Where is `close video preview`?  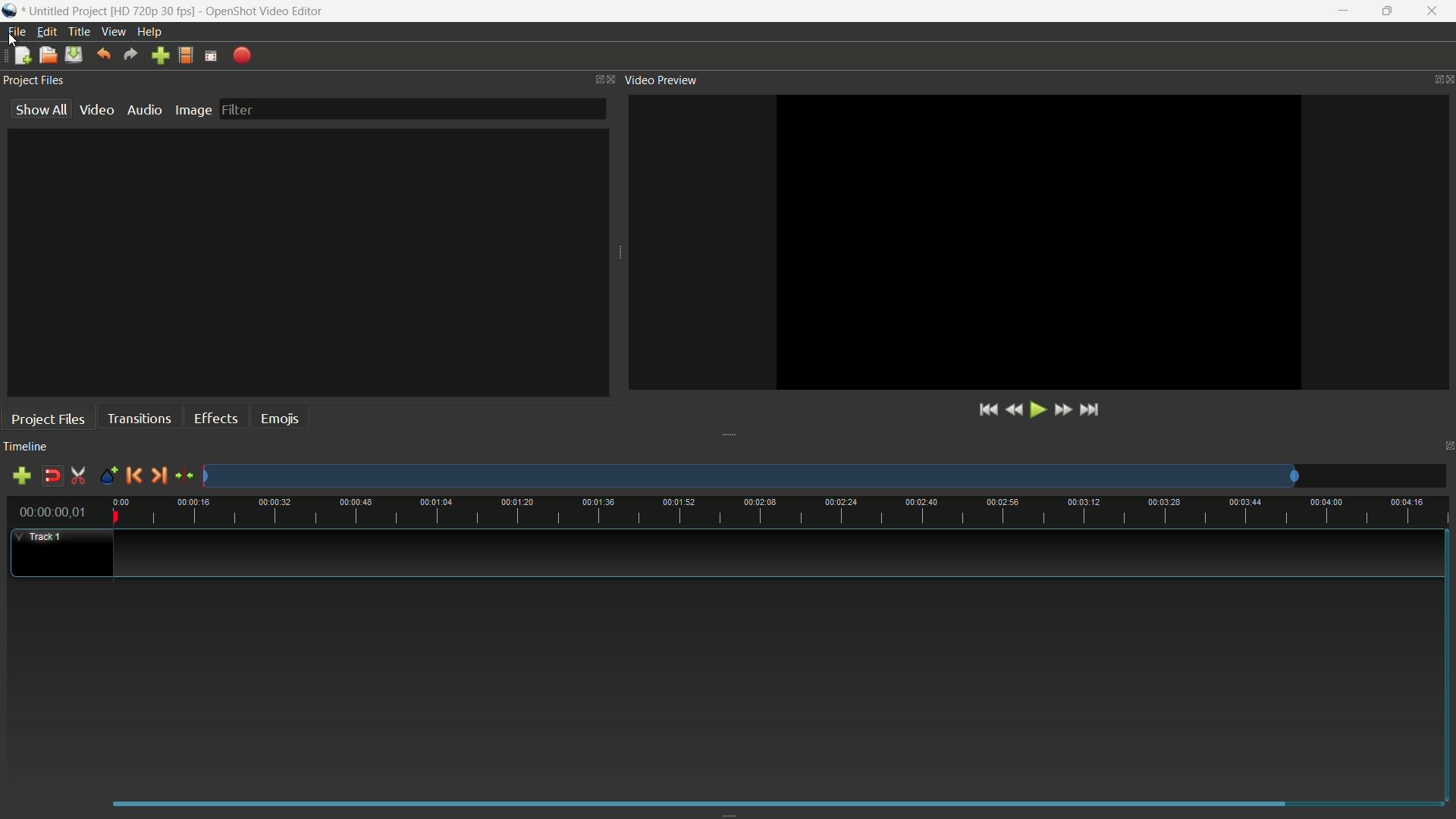
close video preview is located at coordinates (1447, 80).